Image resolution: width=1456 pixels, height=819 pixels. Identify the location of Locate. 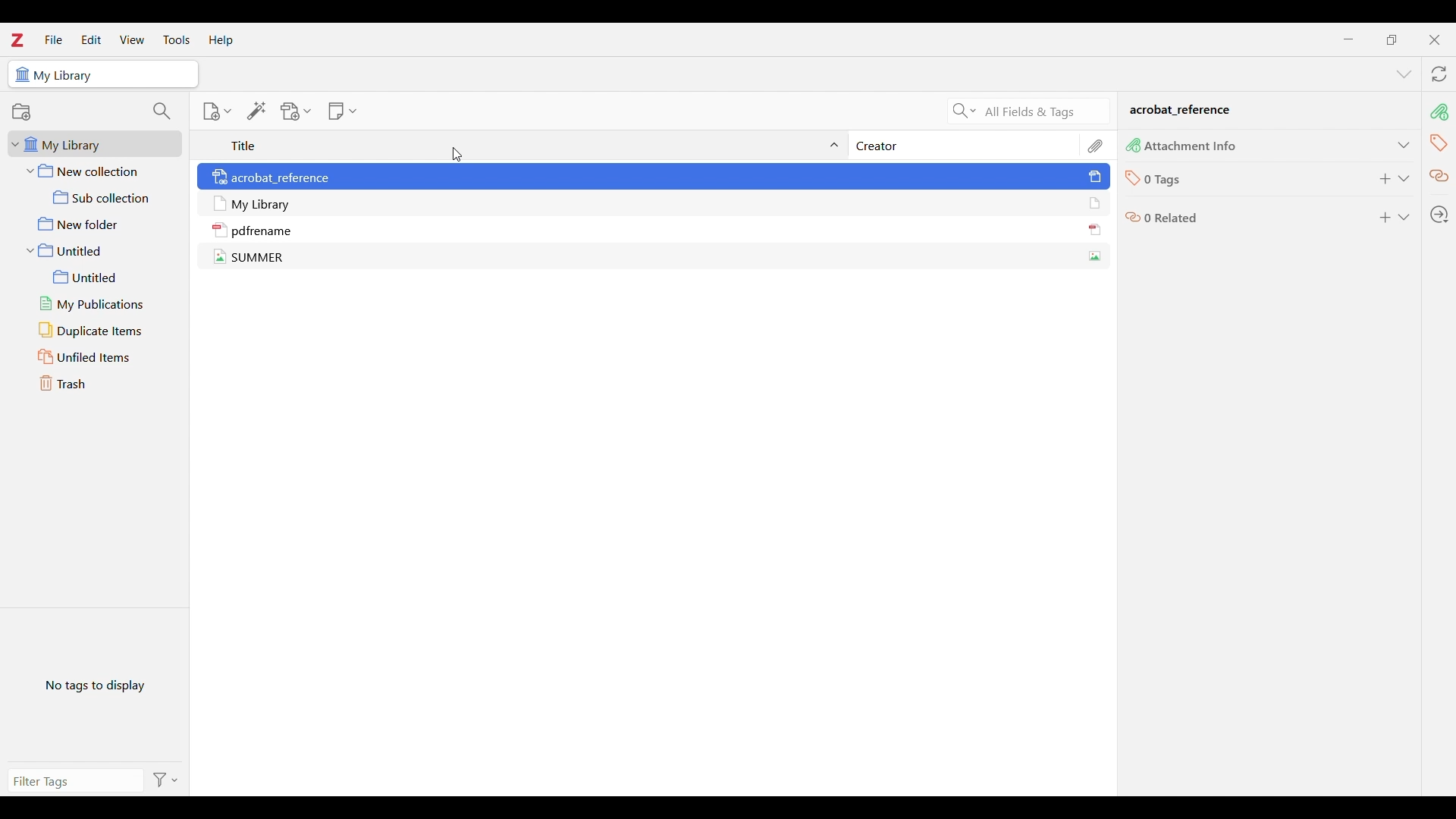
(1439, 215).